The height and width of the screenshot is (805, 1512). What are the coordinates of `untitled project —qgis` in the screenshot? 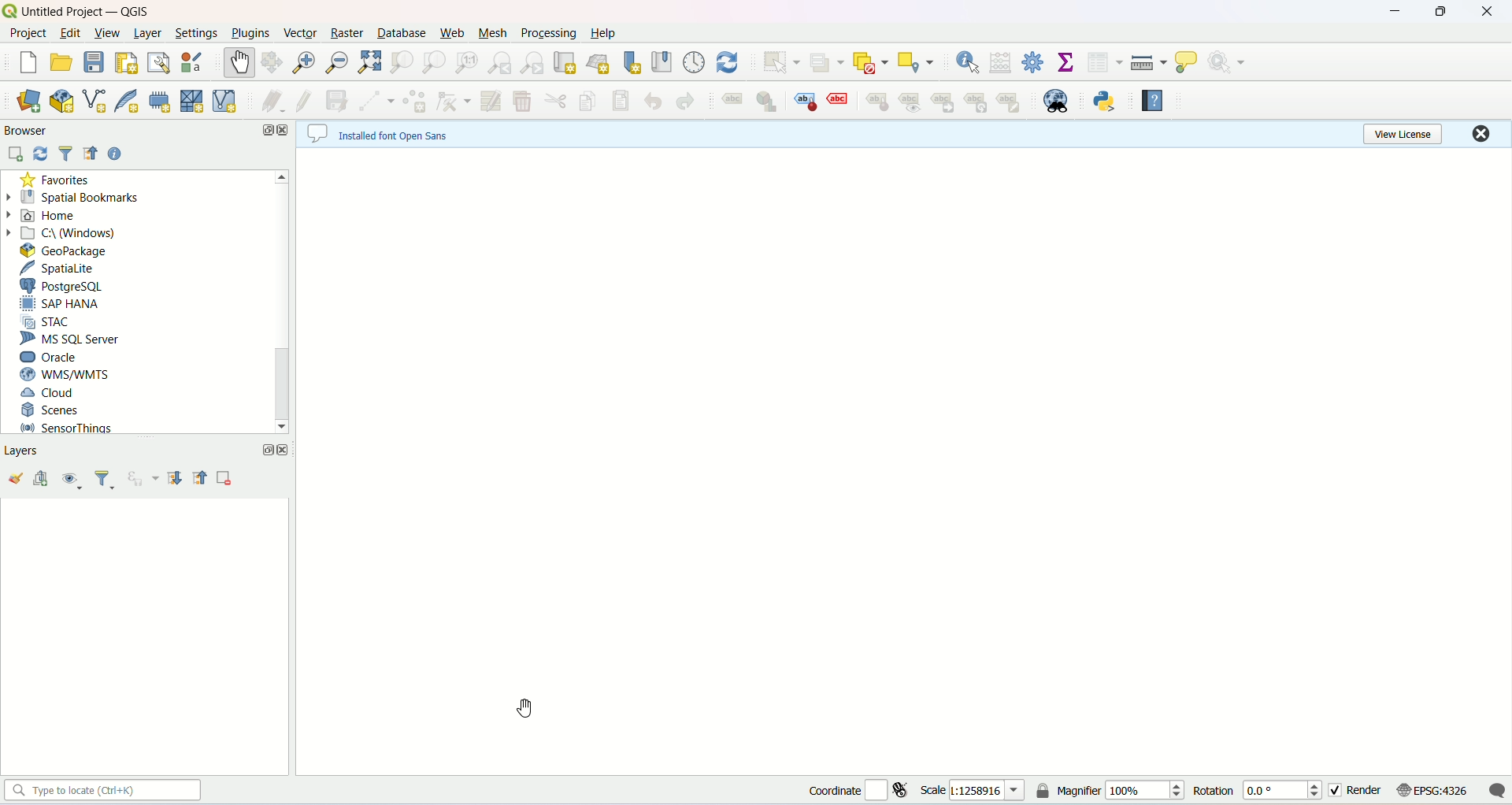 It's located at (105, 12).